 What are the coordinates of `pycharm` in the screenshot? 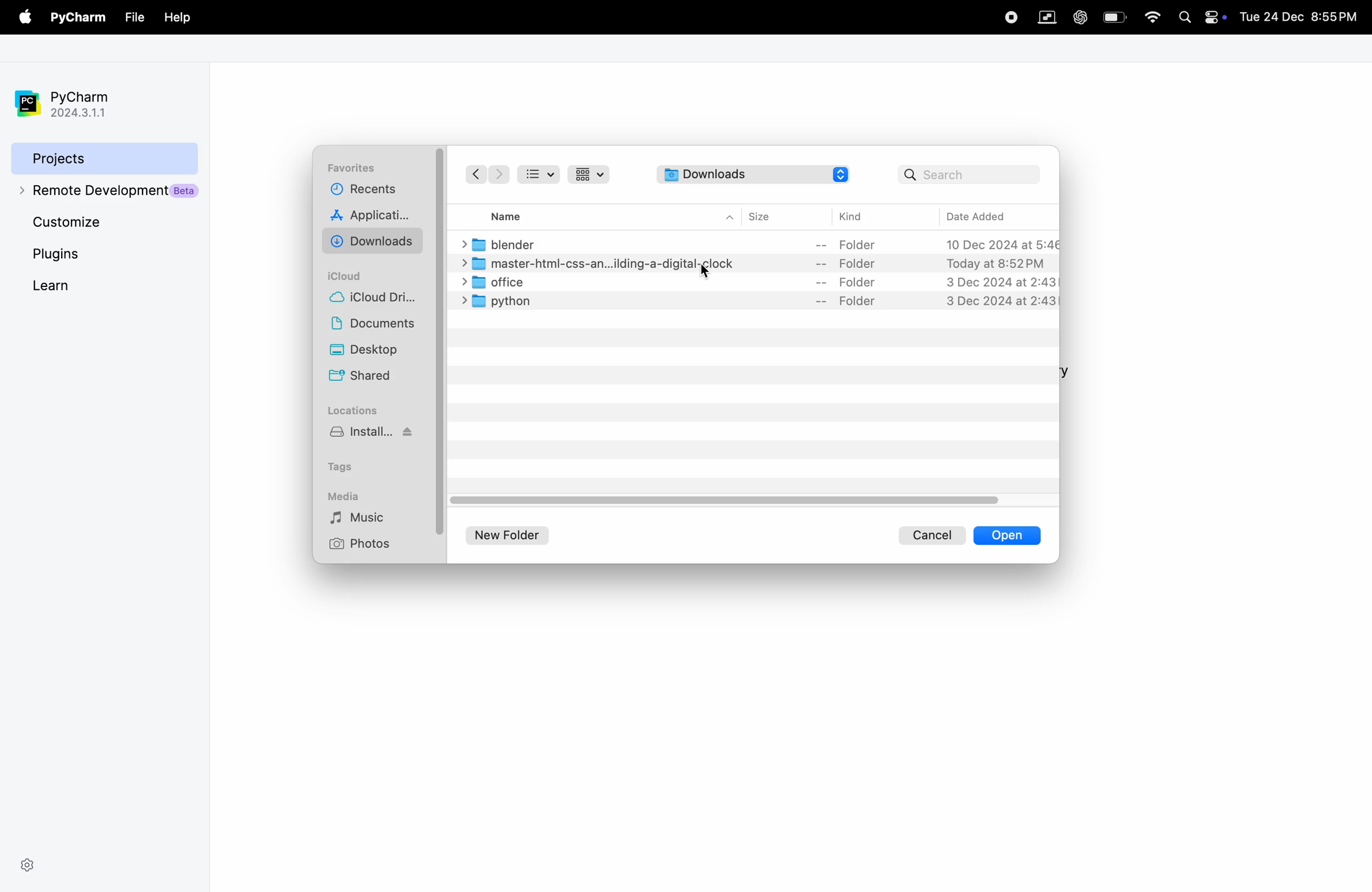 It's located at (78, 18).